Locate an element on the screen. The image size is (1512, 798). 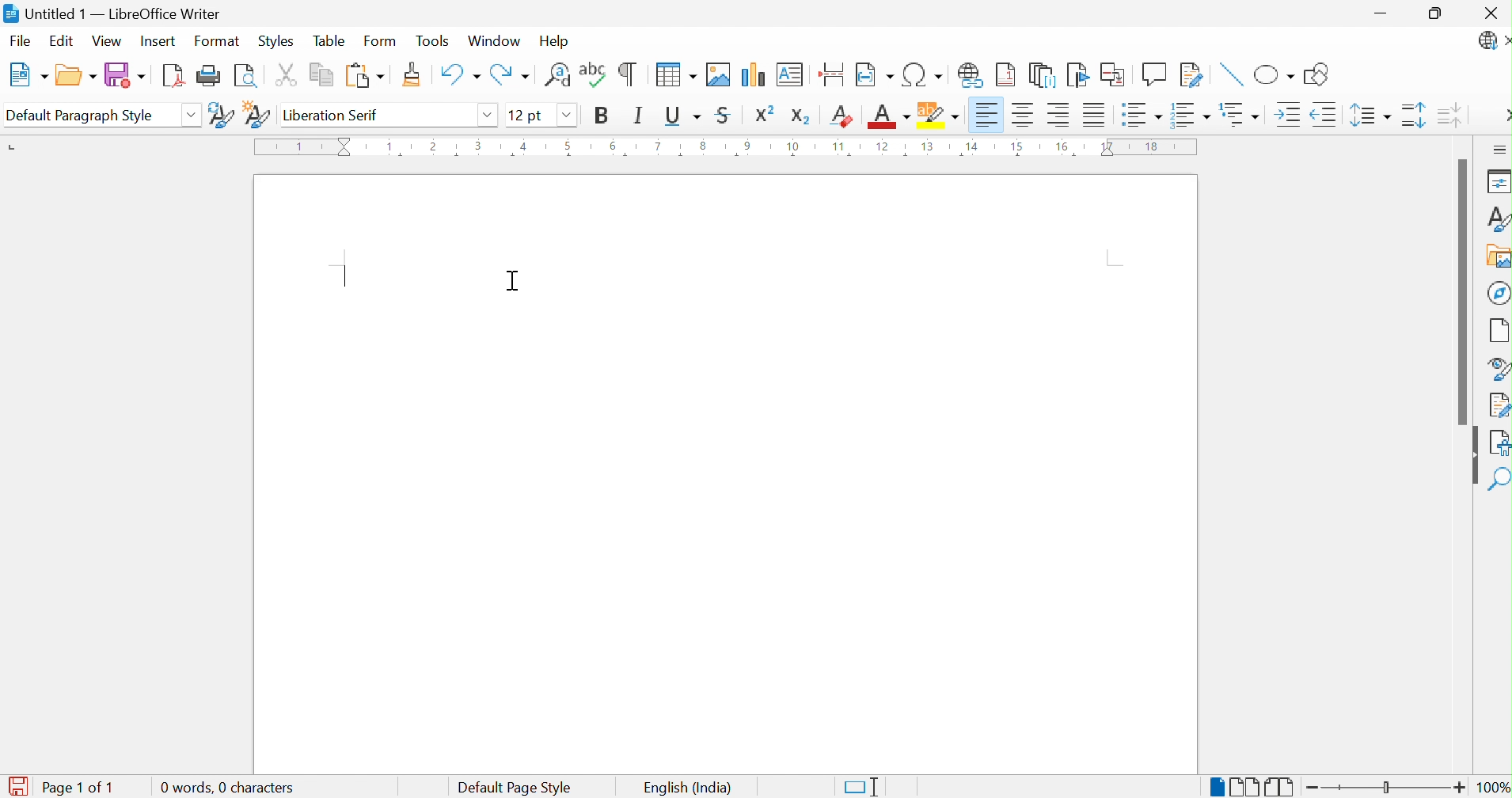
Clear Direct Formatting is located at coordinates (843, 117).